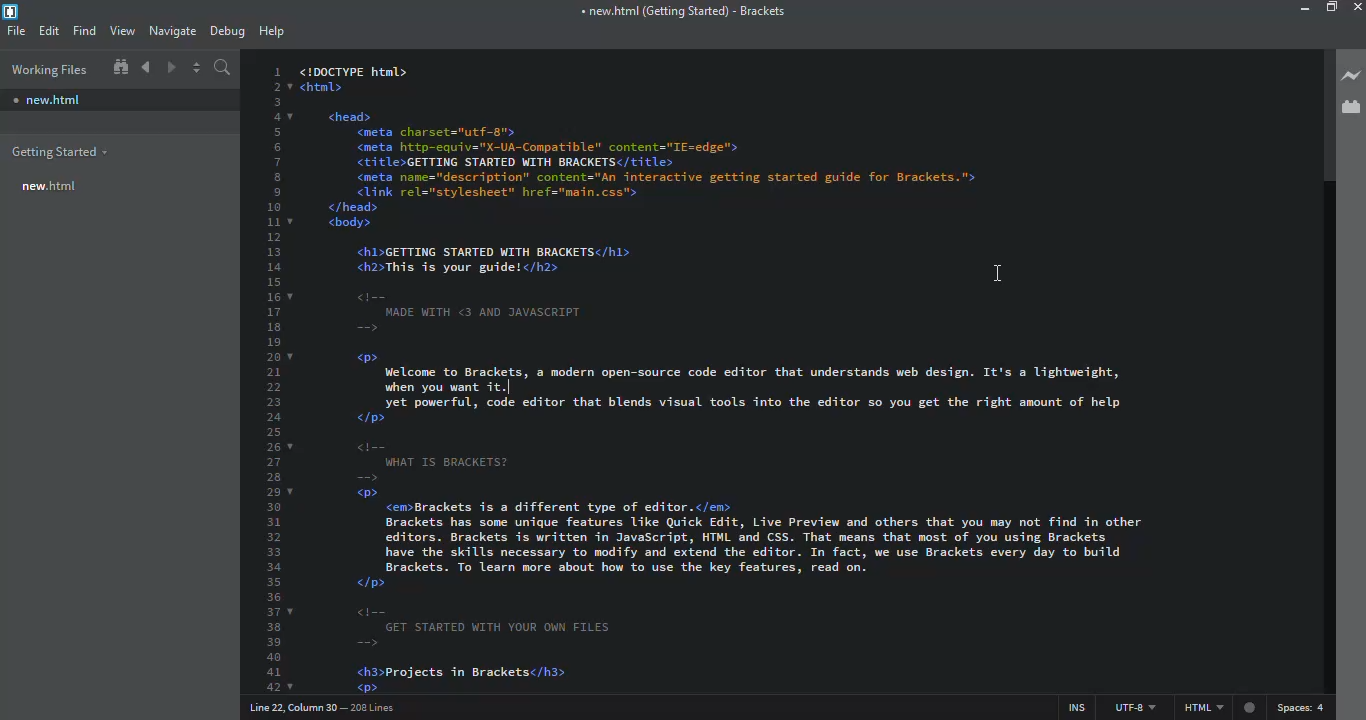 This screenshot has width=1366, height=720. I want to click on html, so click(1215, 708).